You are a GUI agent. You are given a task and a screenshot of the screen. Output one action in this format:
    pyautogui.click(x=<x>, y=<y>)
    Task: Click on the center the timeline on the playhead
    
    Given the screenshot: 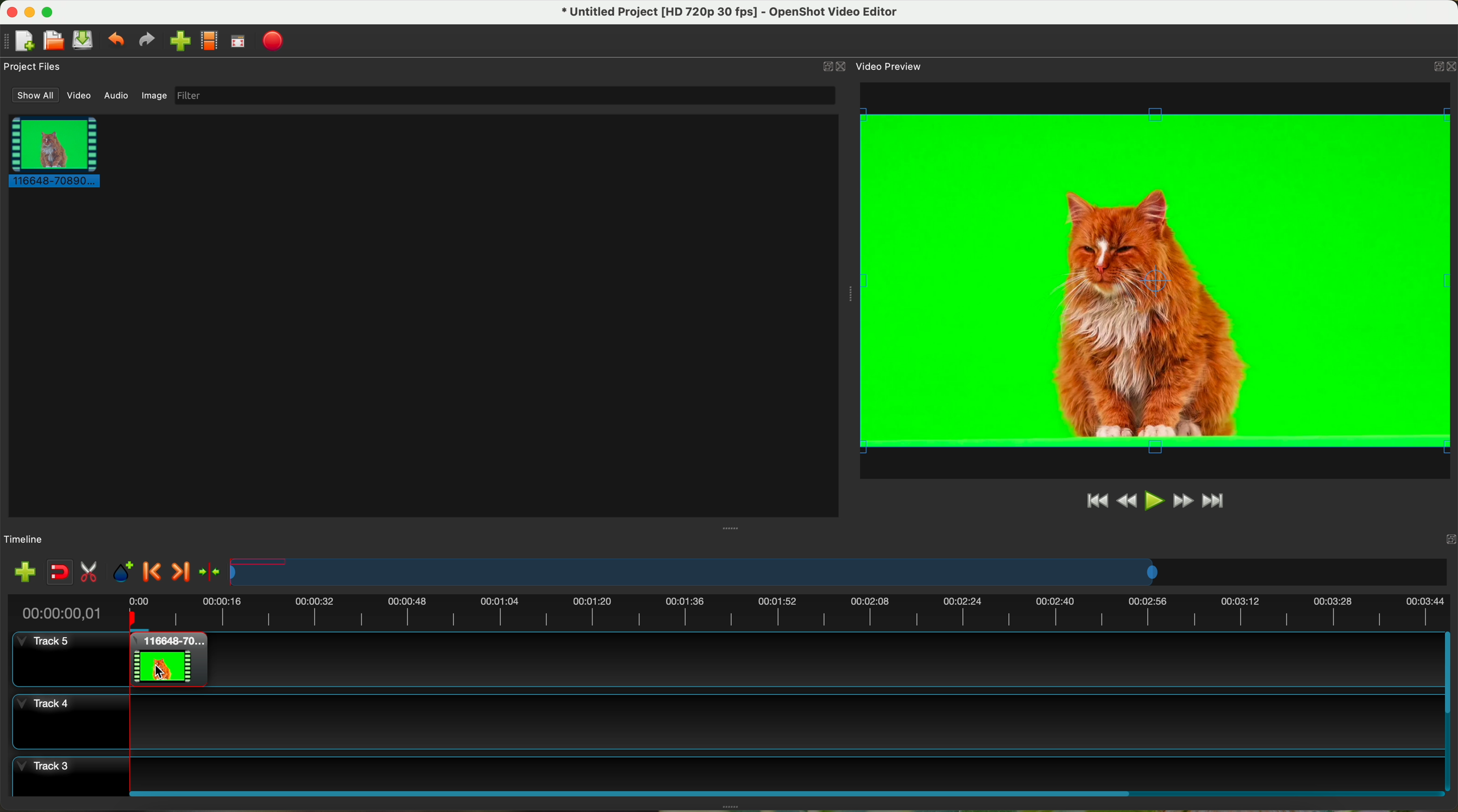 What is the action you would take?
    pyautogui.click(x=211, y=573)
    